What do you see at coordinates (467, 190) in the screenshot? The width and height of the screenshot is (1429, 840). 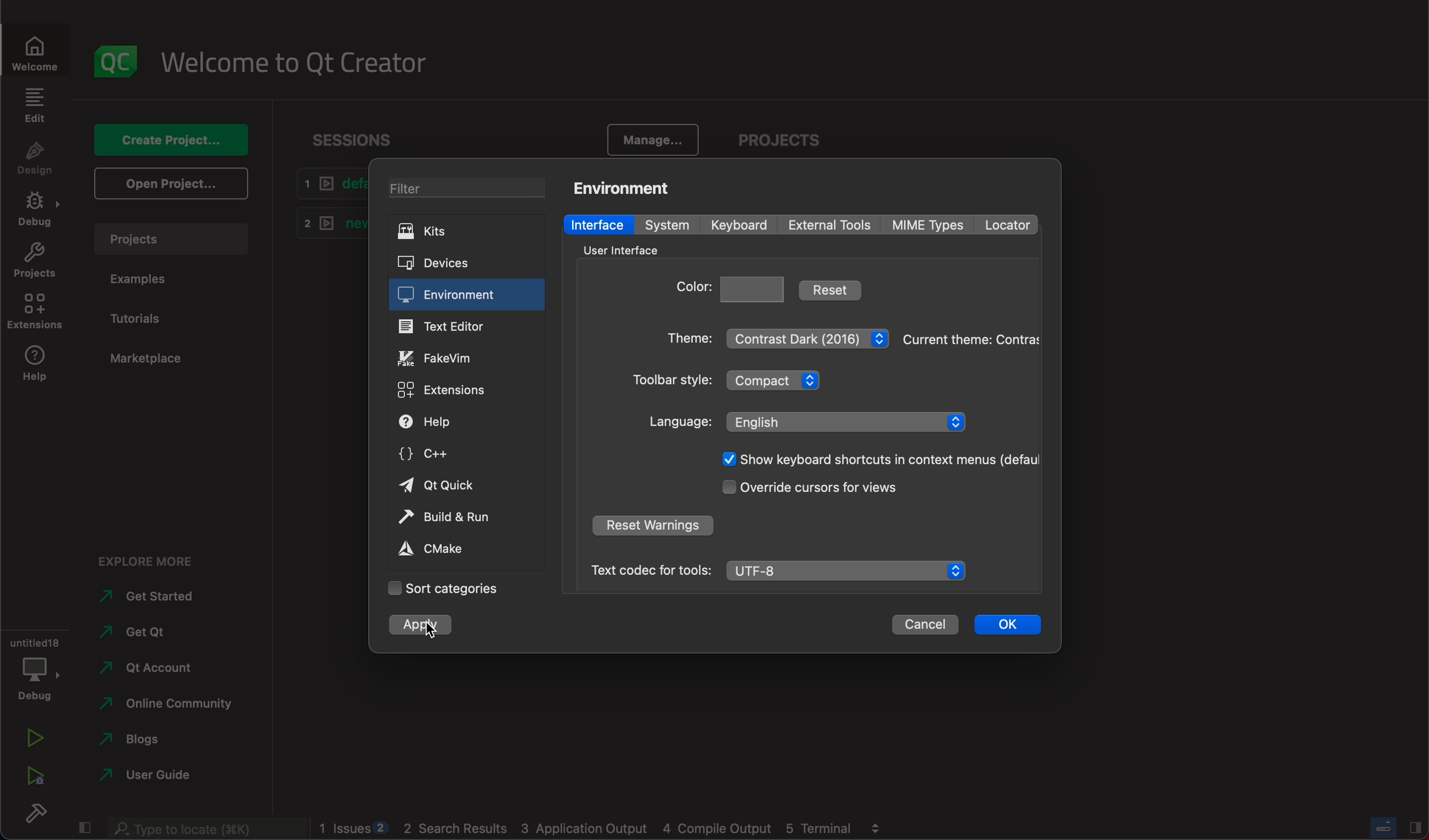 I see `filter` at bounding box center [467, 190].